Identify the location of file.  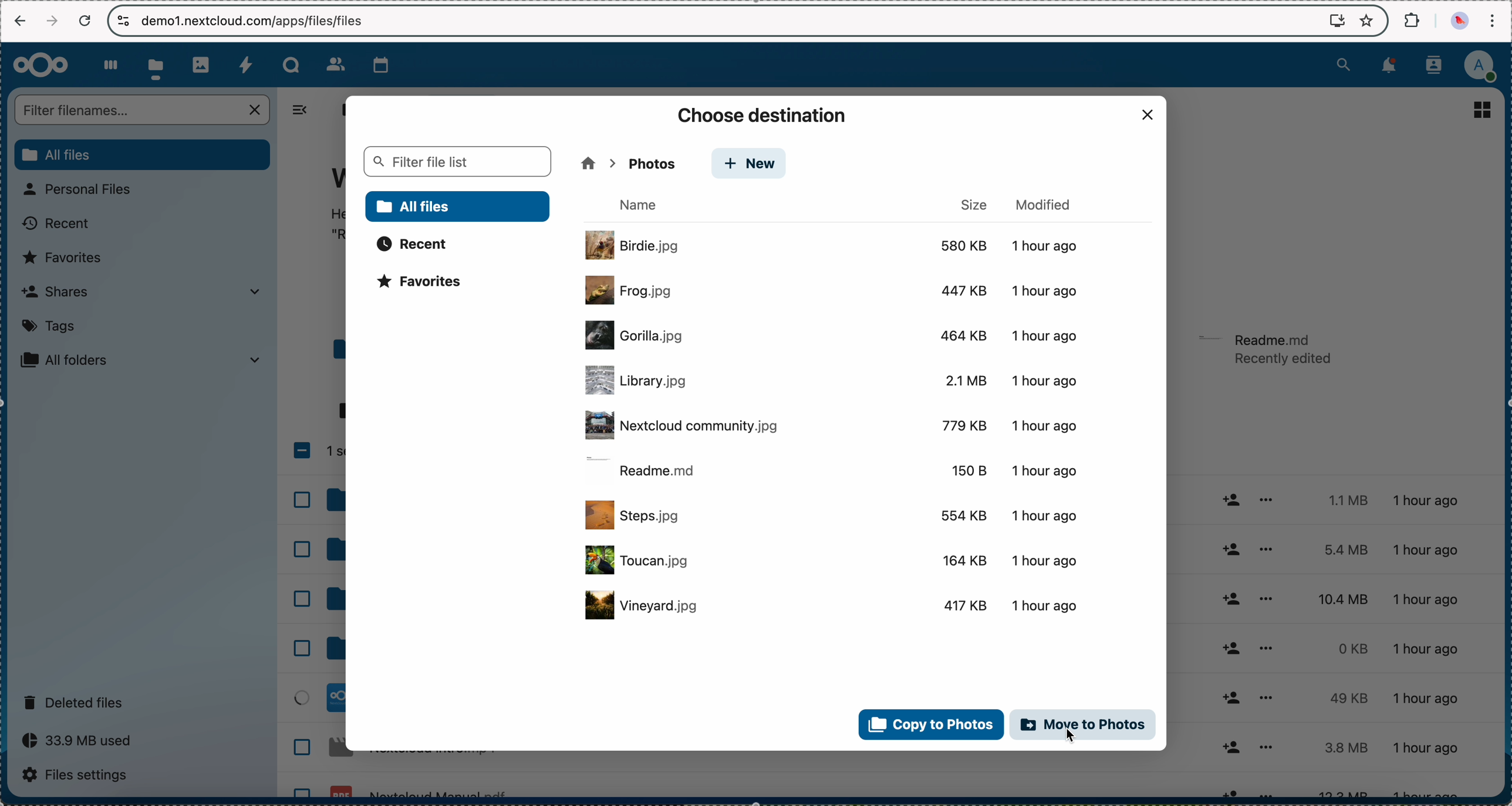
(835, 245).